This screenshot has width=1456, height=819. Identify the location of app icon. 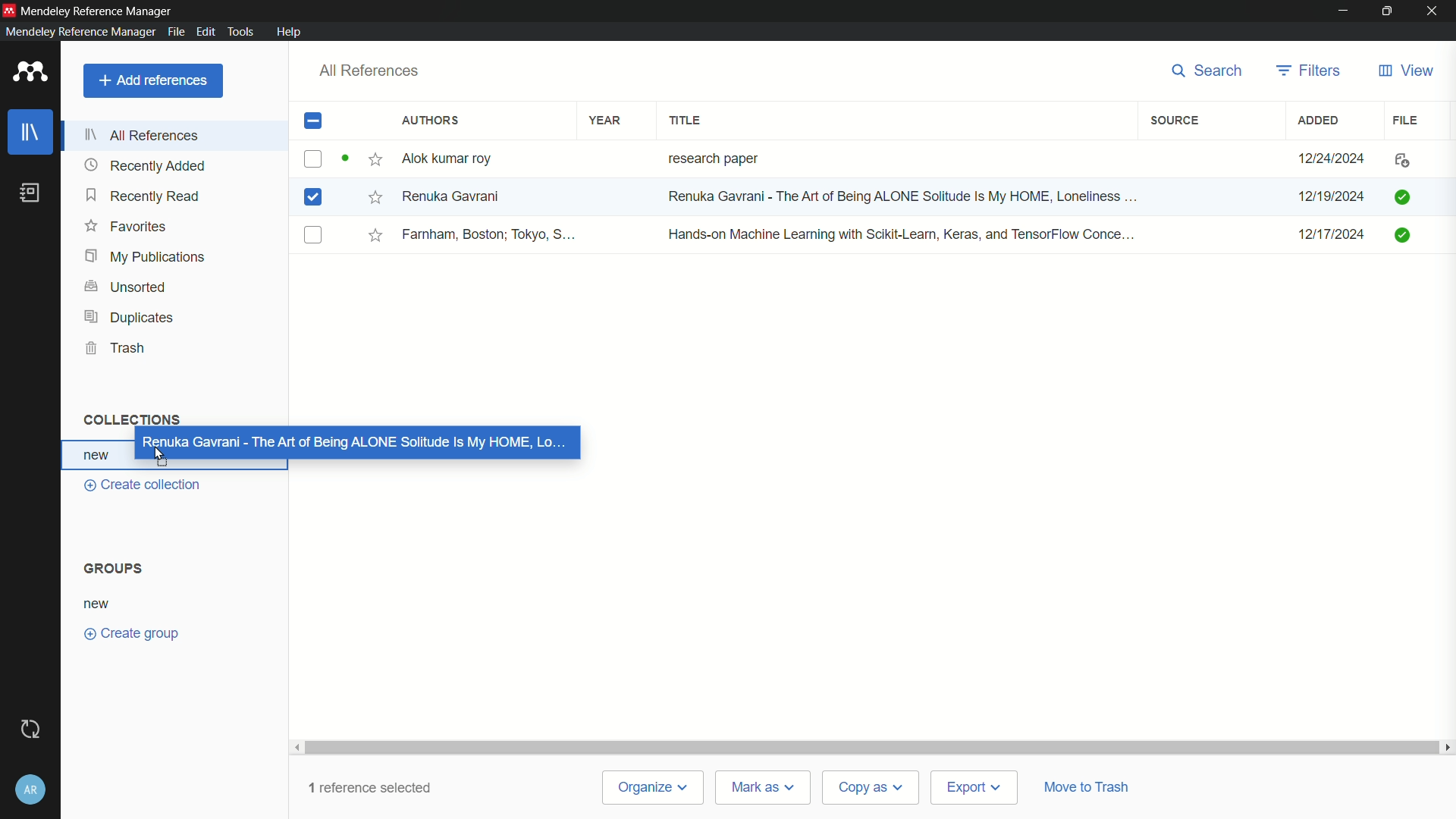
(30, 71).